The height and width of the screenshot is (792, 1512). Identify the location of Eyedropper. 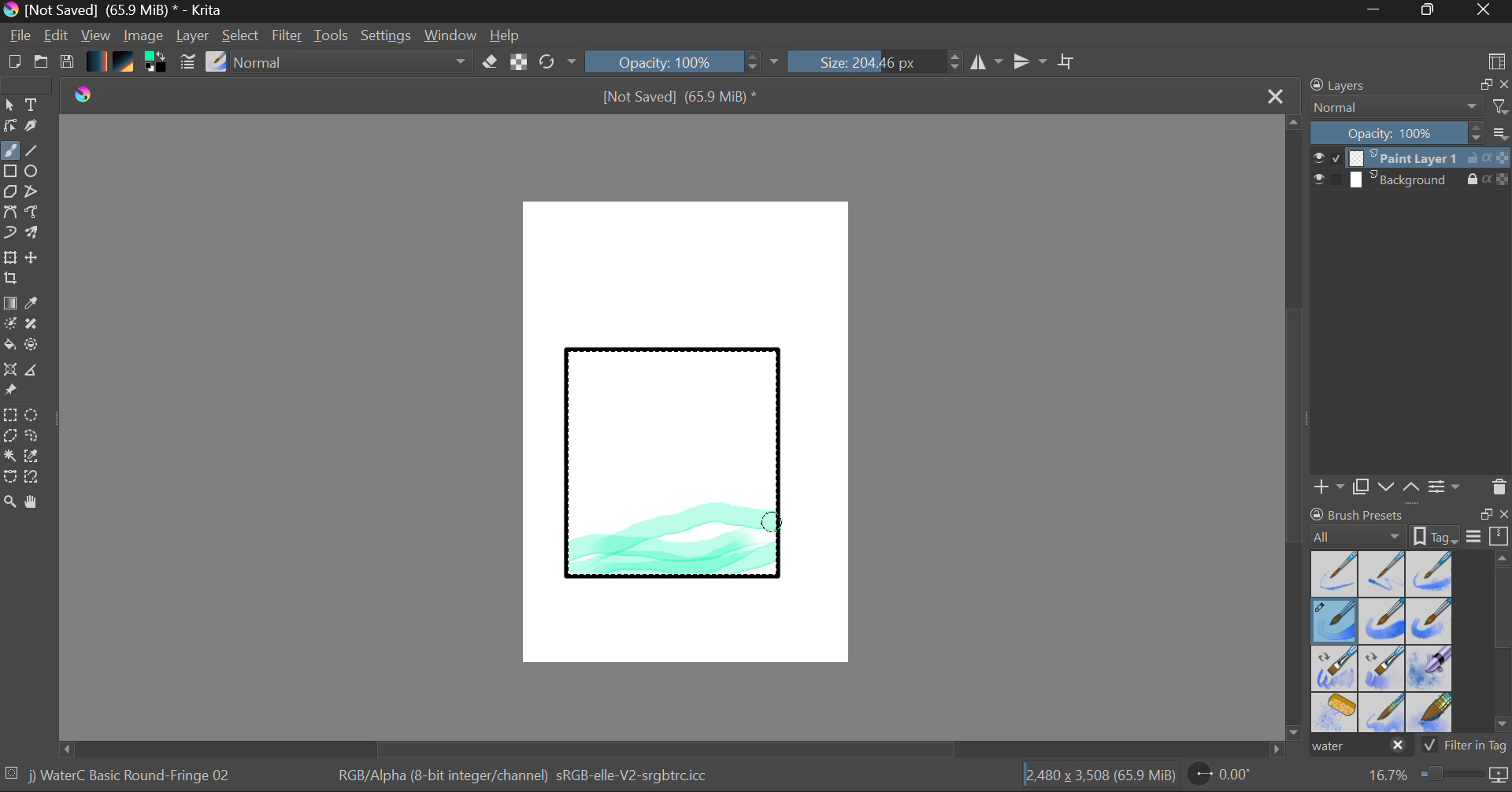
(35, 304).